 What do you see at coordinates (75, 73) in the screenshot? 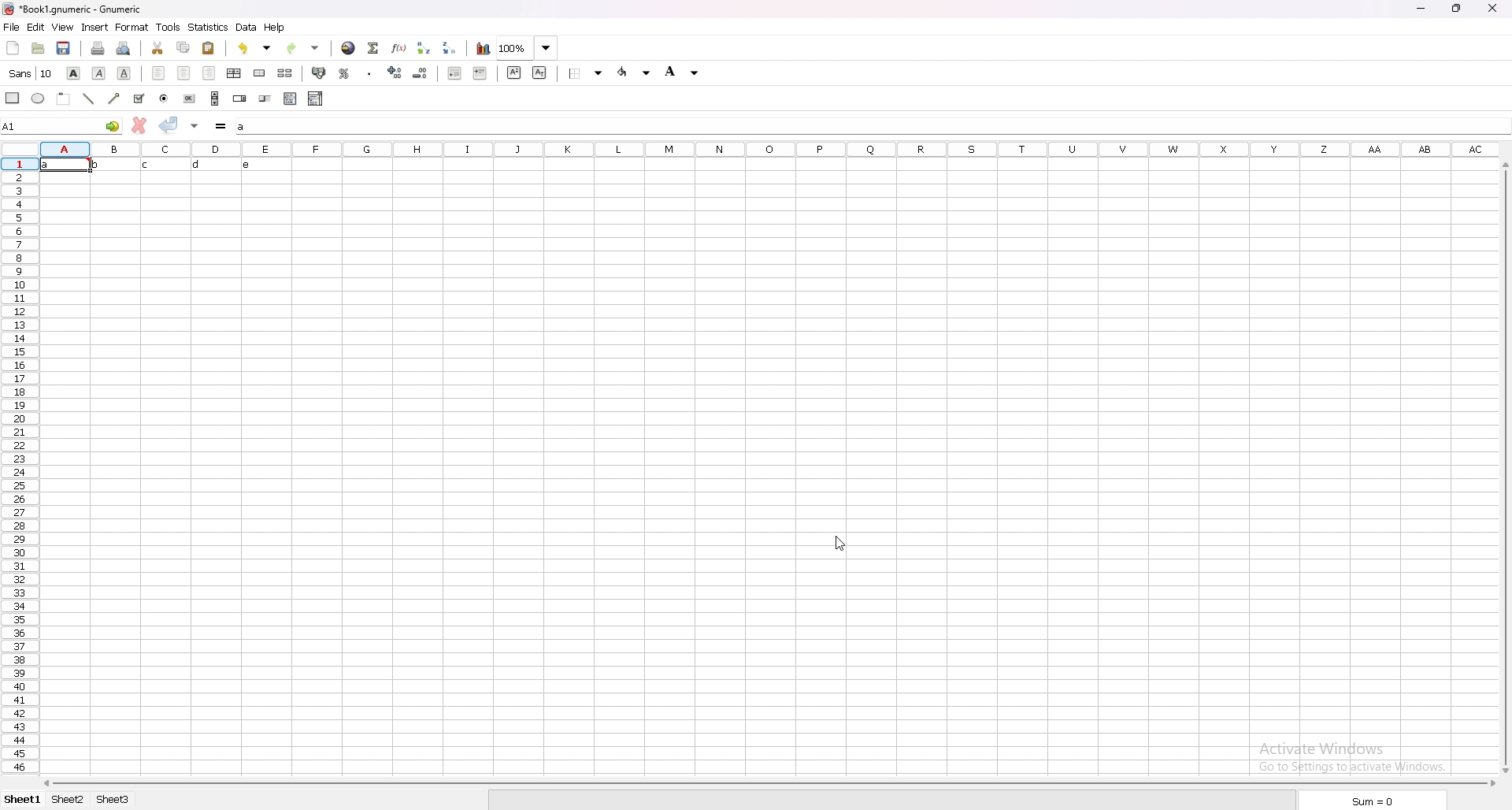
I see `bold` at bounding box center [75, 73].